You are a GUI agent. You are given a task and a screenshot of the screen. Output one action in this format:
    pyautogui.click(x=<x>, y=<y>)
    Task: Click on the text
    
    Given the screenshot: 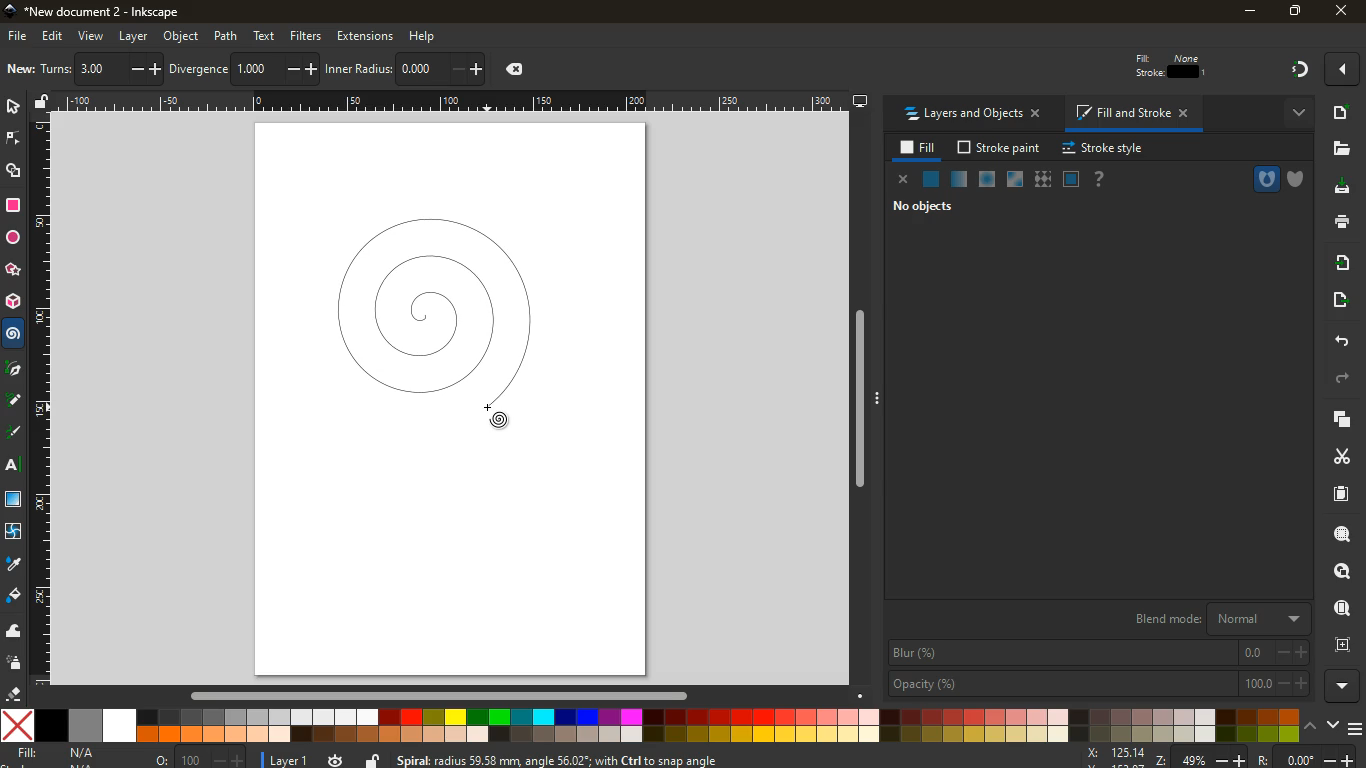 What is the action you would take?
    pyautogui.click(x=15, y=467)
    